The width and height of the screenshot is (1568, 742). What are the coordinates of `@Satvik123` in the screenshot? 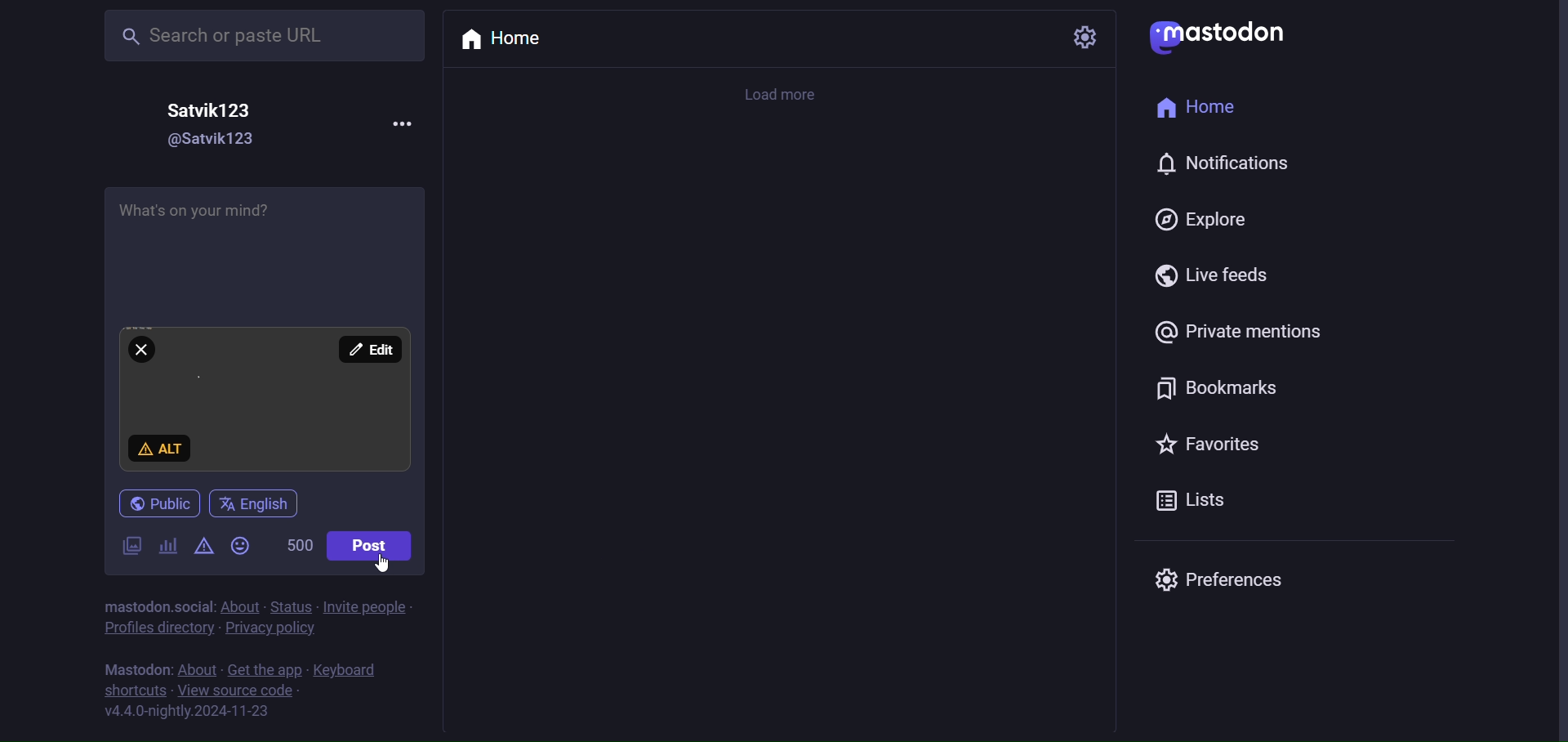 It's located at (221, 140).